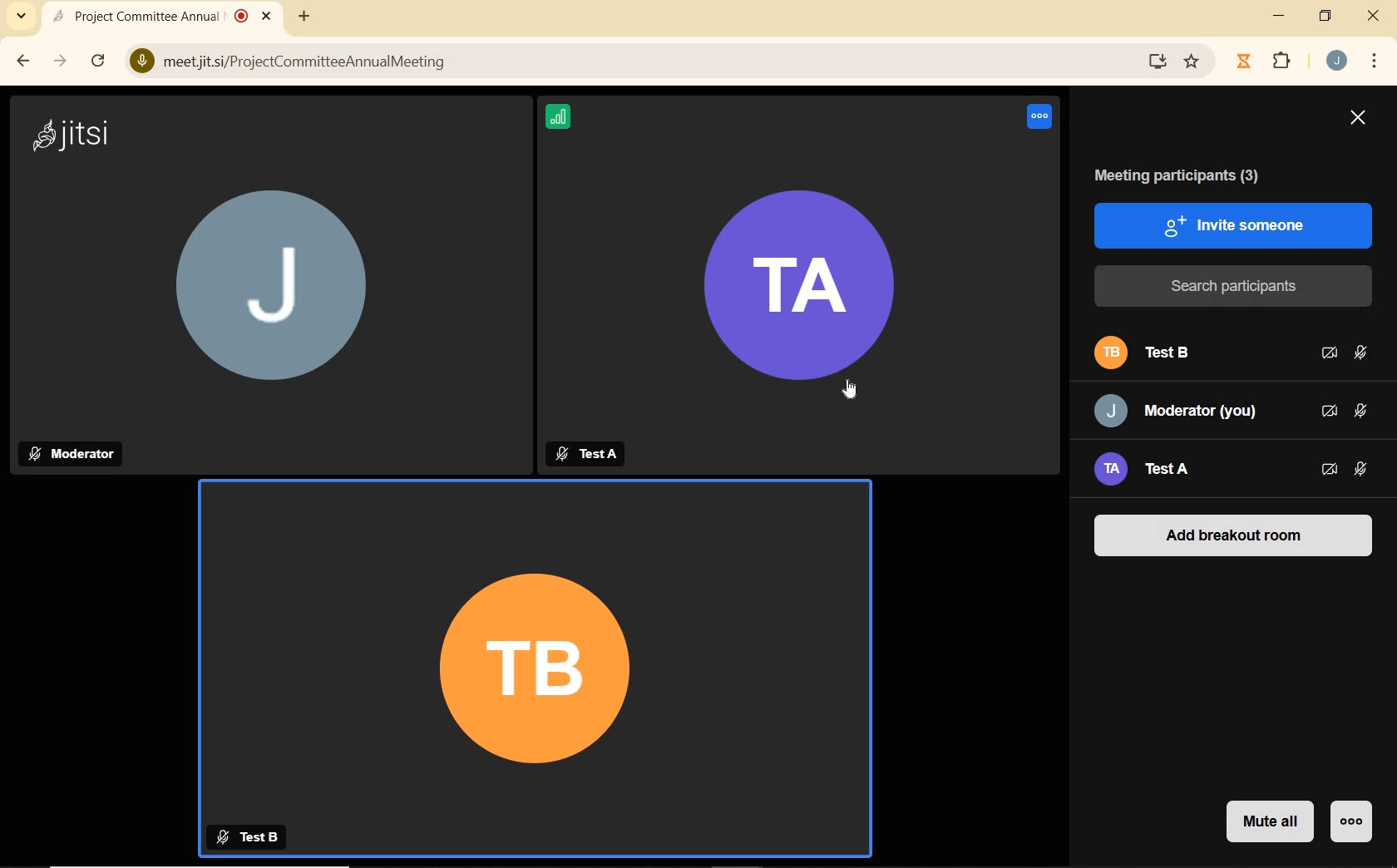 The image size is (1397, 868). What do you see at coordinates (1357, 121) in the screenshot?
I see `CLOSE` at bounding box center [1357, 121].